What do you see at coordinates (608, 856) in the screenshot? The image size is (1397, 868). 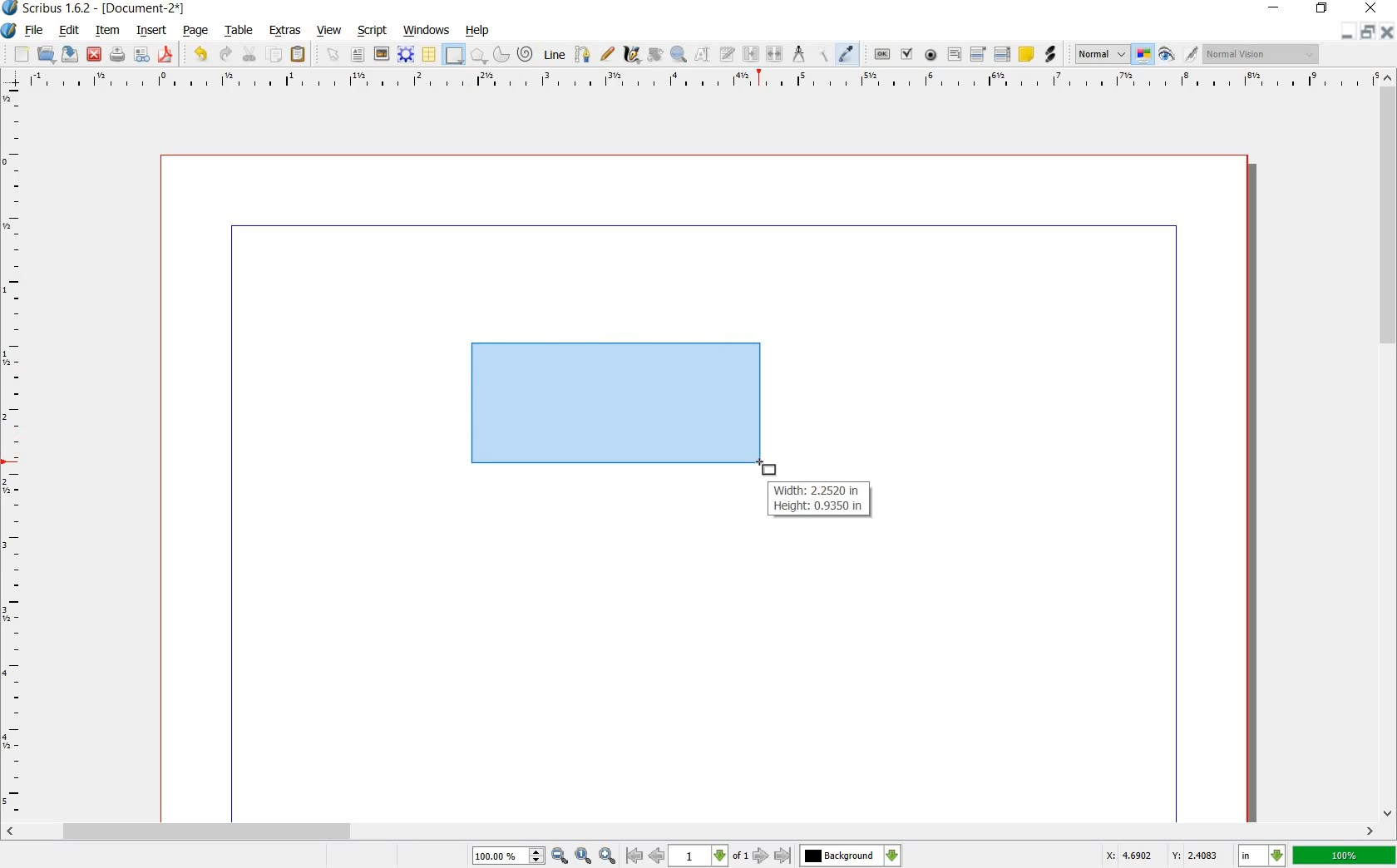 I see `zoom in` at bounding box center [608, 856].